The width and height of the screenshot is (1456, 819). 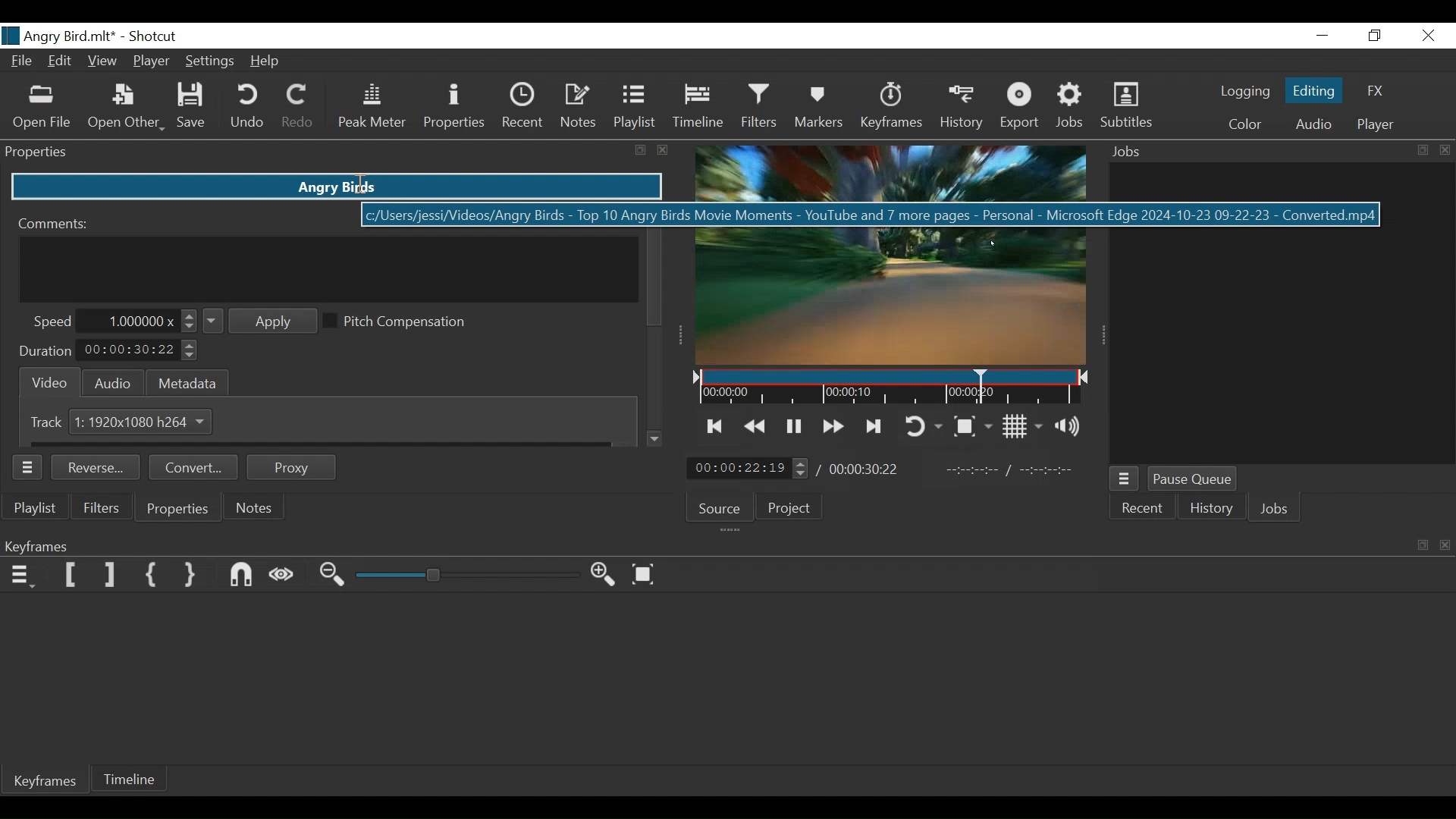 What do you see at coordinates (298, 108) in the screenshot?
I see `Redo` at bounding box center [298, 108].